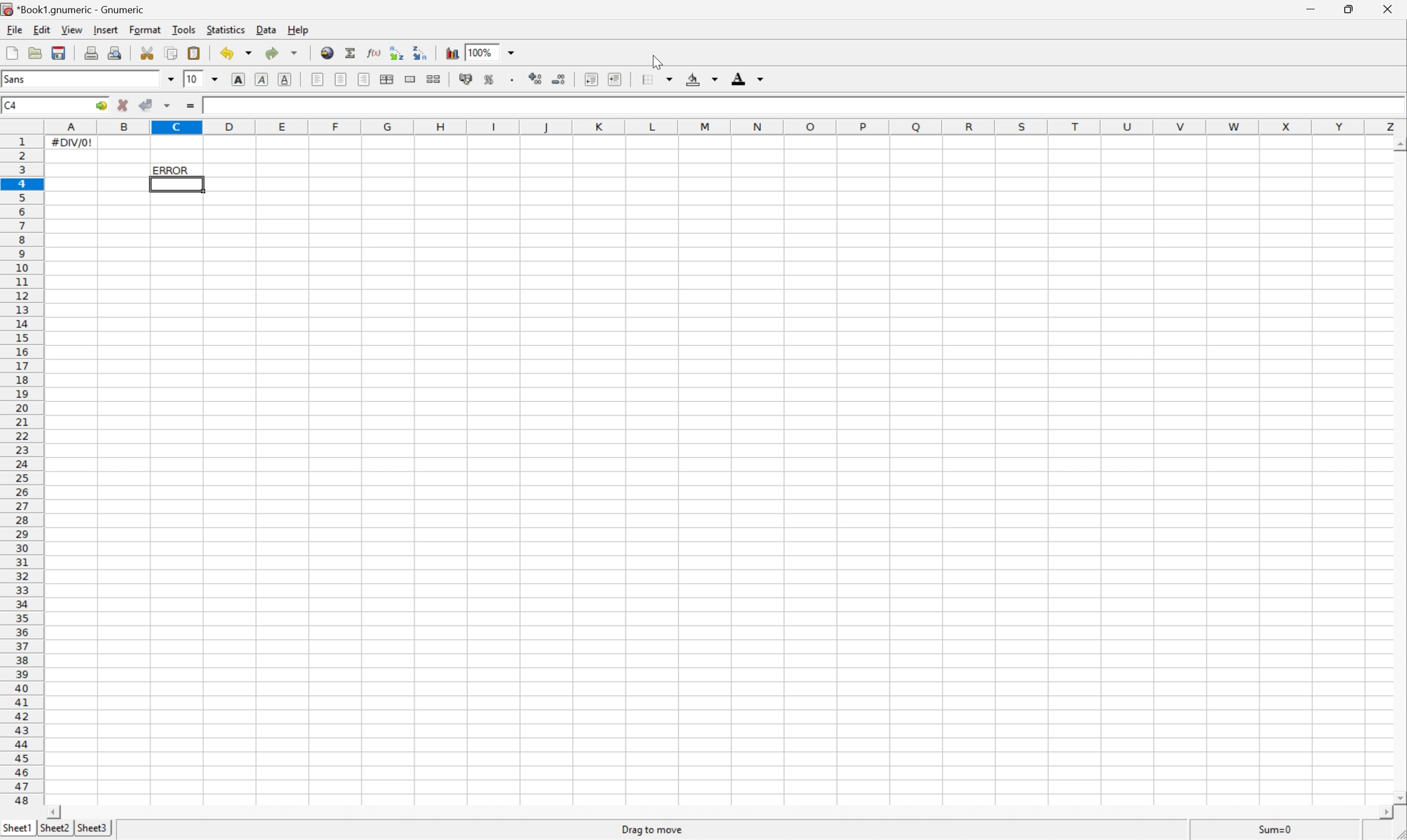 Image resolution: width=1407 pixels, height=840 pixels. I want to click on Redo, so click(272, 54).